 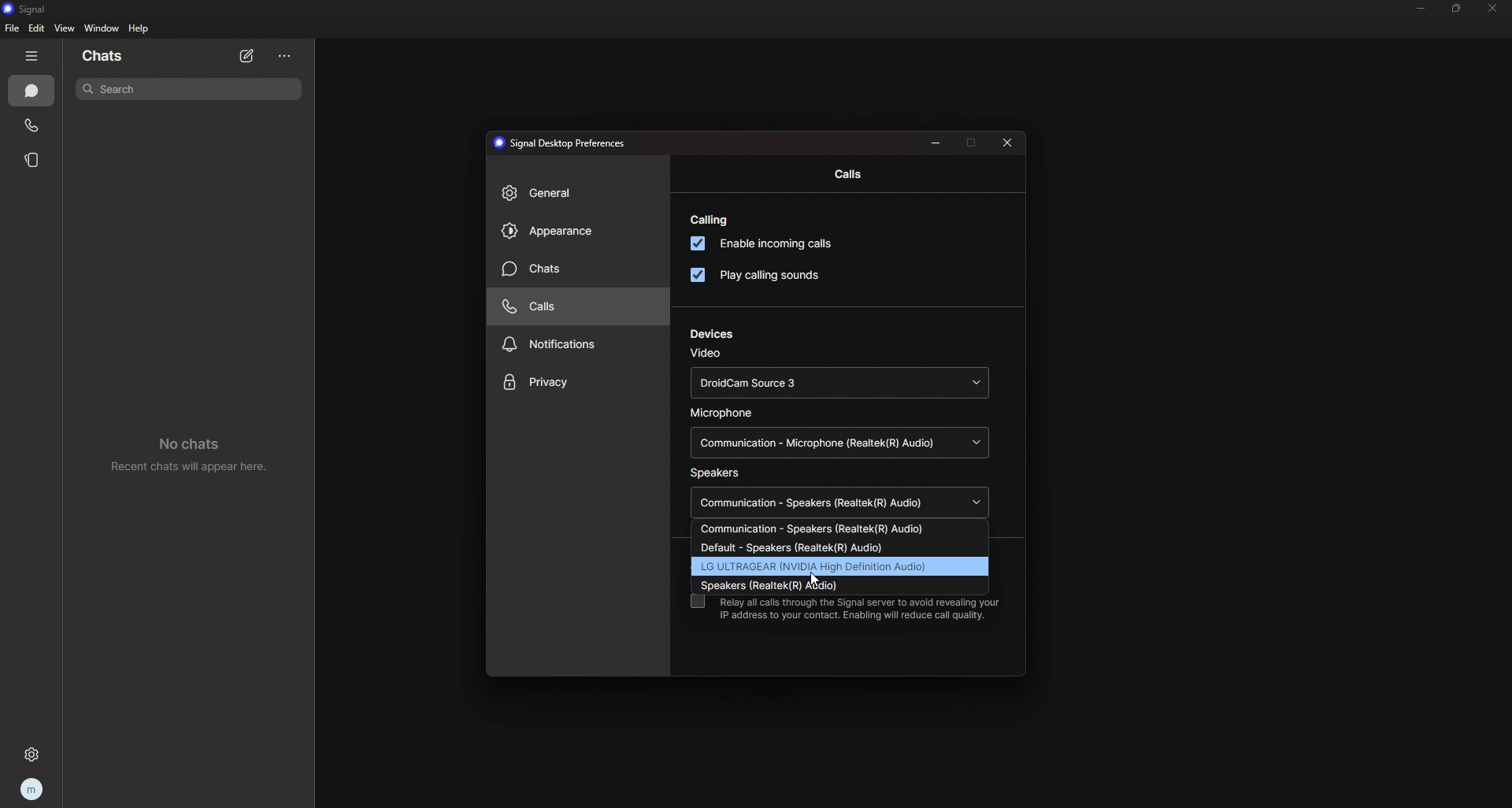 What do you see at coordinates (102, 28) in the screenshot?
I see `window` at bounding box center [102, 28].